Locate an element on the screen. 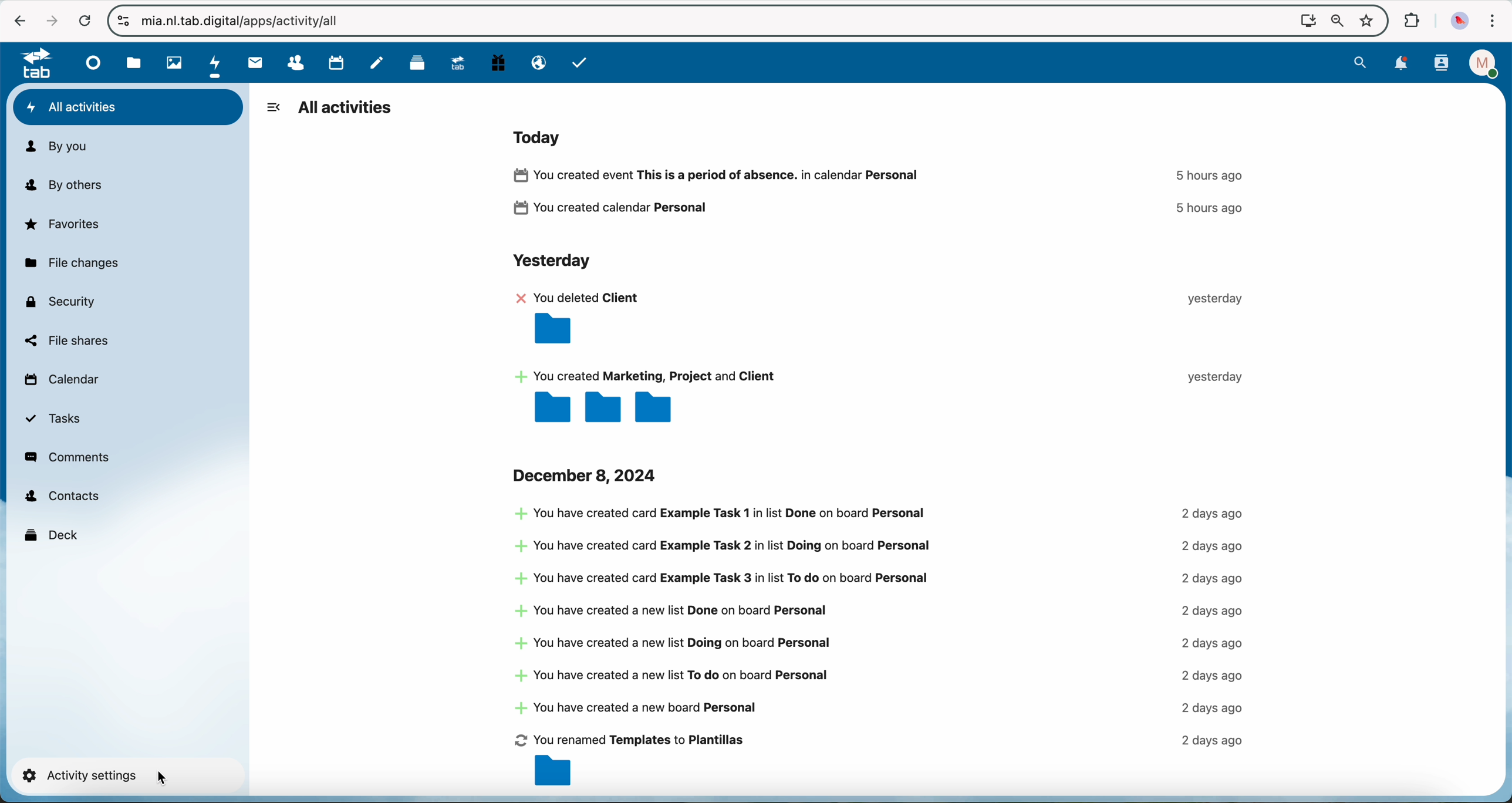 This screenshot has width=1512, height=803. photos is located at coordinates (171, 62).